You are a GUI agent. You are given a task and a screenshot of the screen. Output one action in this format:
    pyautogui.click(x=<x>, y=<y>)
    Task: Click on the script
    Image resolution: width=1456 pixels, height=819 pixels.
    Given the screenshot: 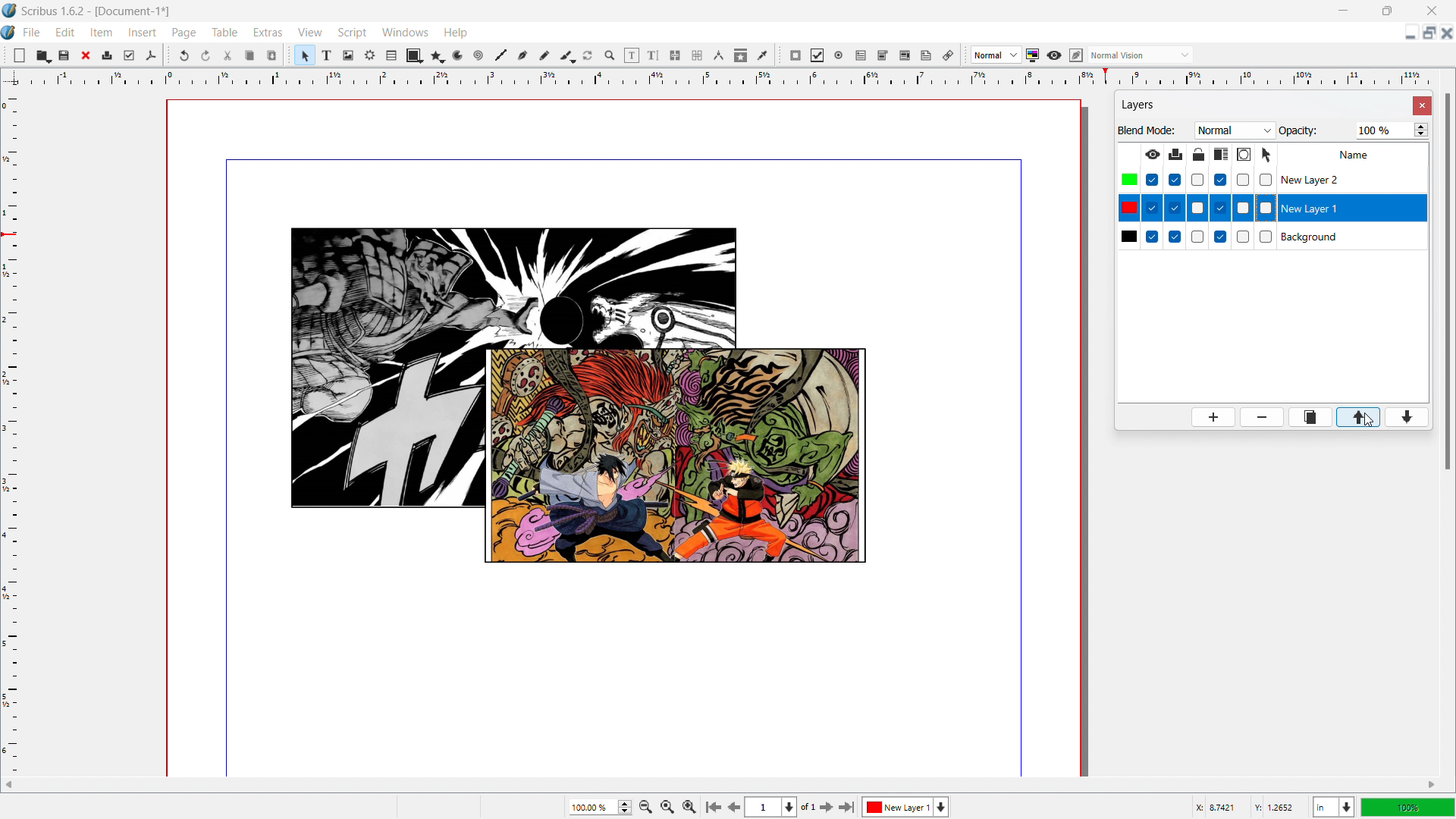 What is the action you would take?
    pyautogui.click(x=352, y=33)
    